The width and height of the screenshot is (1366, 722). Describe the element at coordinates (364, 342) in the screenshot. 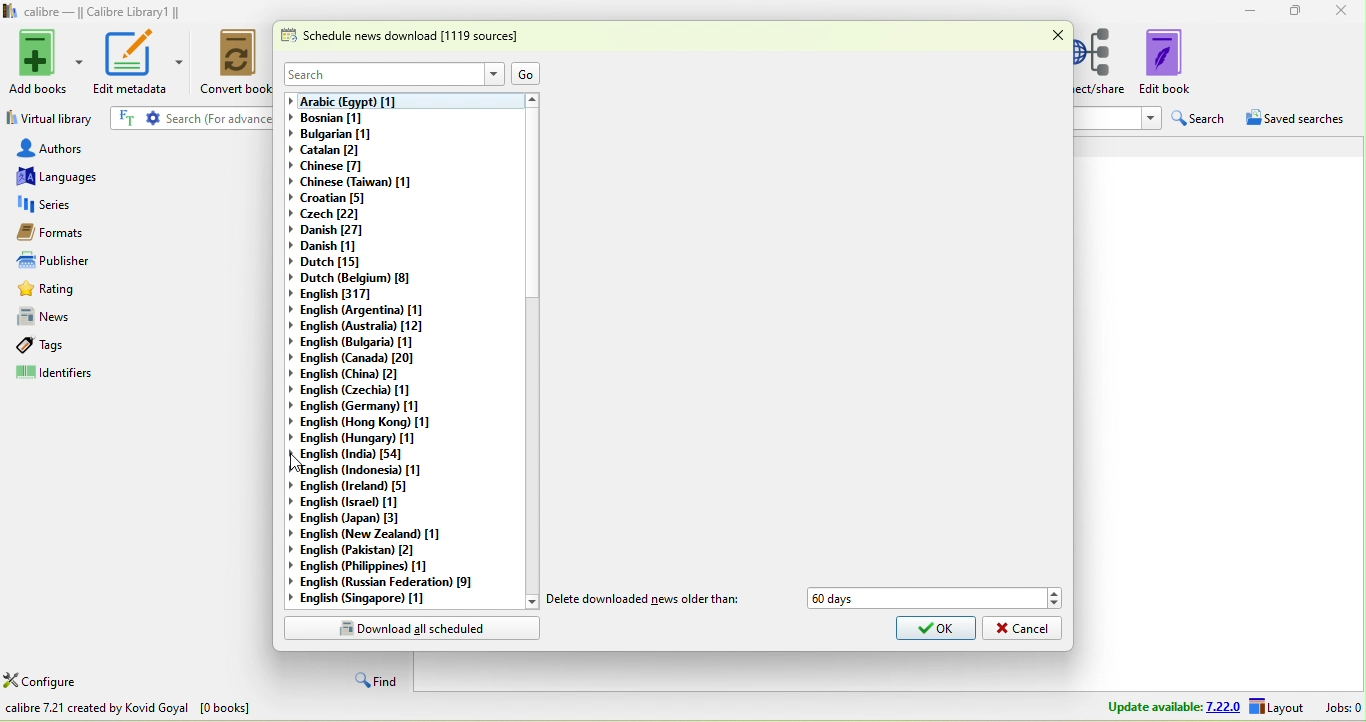

I see `english (bulgaria)[1]` at that location.